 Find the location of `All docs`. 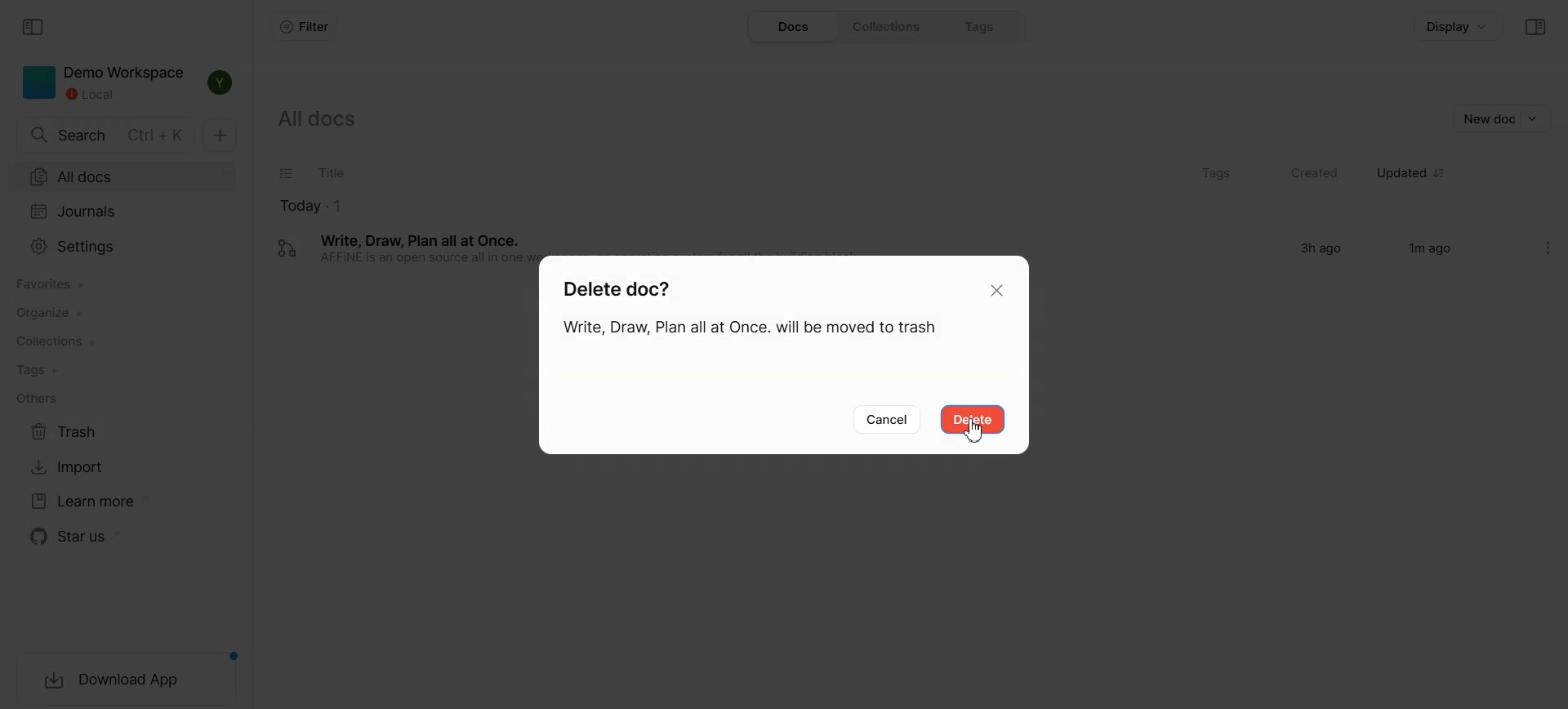

All docs is located at coordinates (325, 117).